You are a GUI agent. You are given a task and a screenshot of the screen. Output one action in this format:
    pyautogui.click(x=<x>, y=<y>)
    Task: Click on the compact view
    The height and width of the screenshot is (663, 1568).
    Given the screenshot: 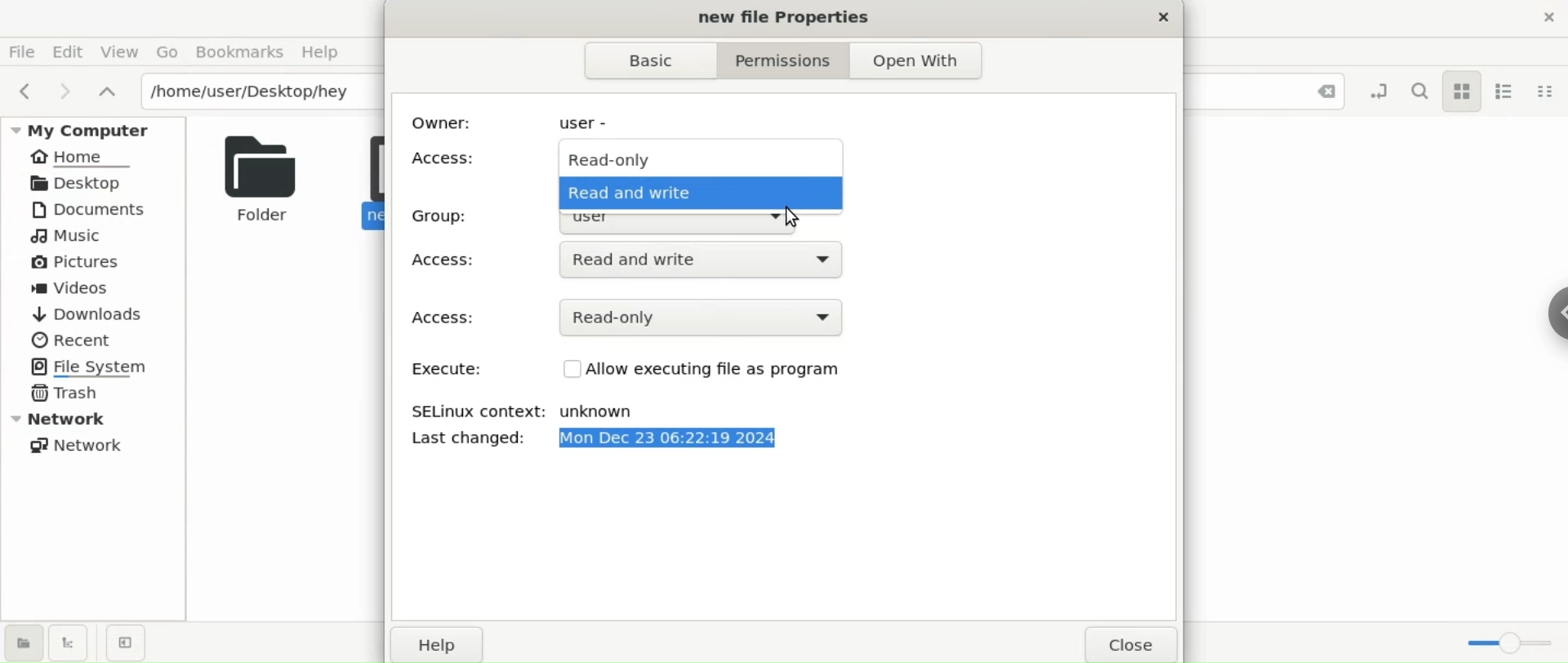 What is the action you would take?
    pyautogui.click(x=1552, y=88)
    